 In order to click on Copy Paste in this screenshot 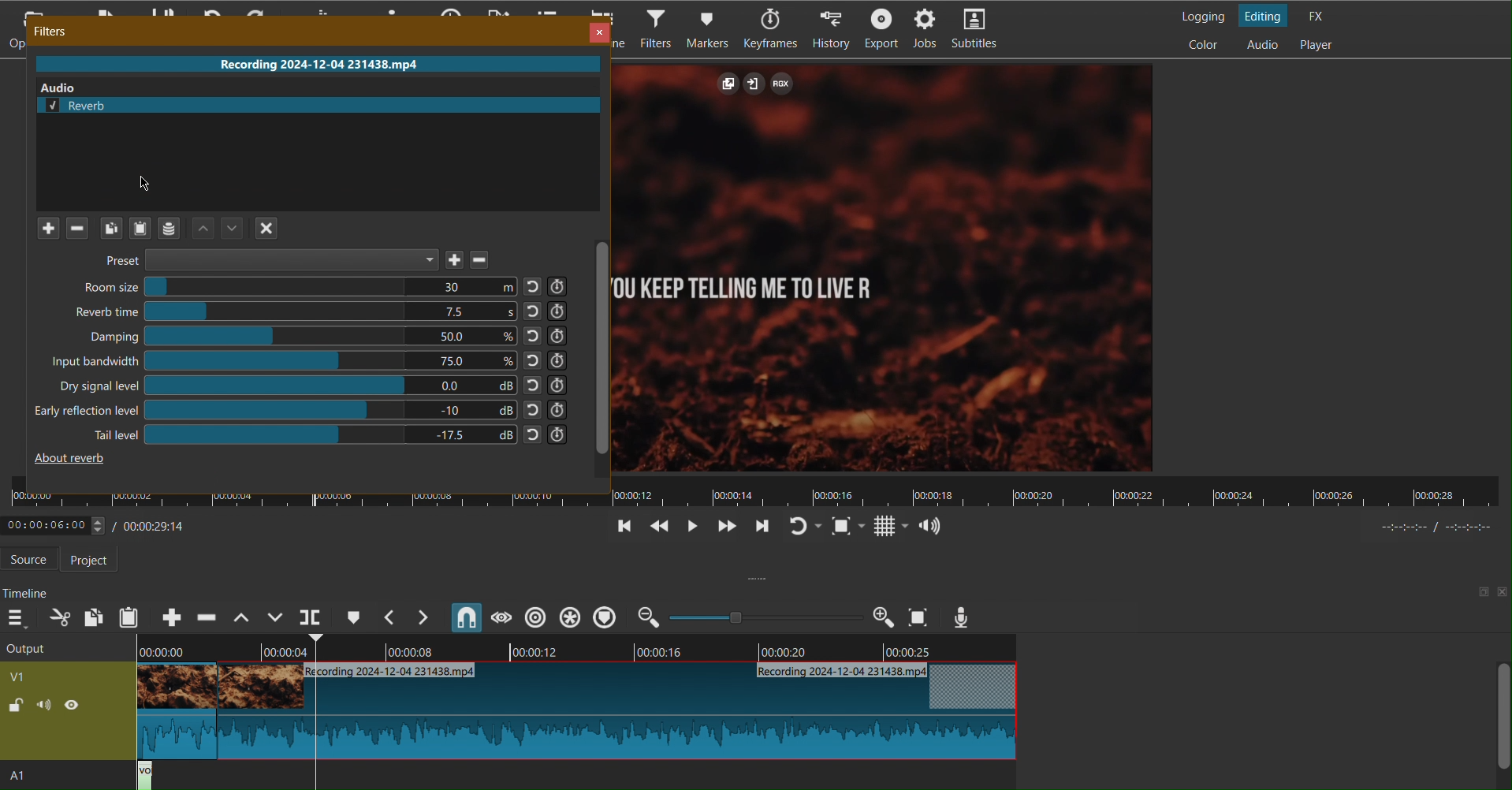, I will do `click(124, 227)`.